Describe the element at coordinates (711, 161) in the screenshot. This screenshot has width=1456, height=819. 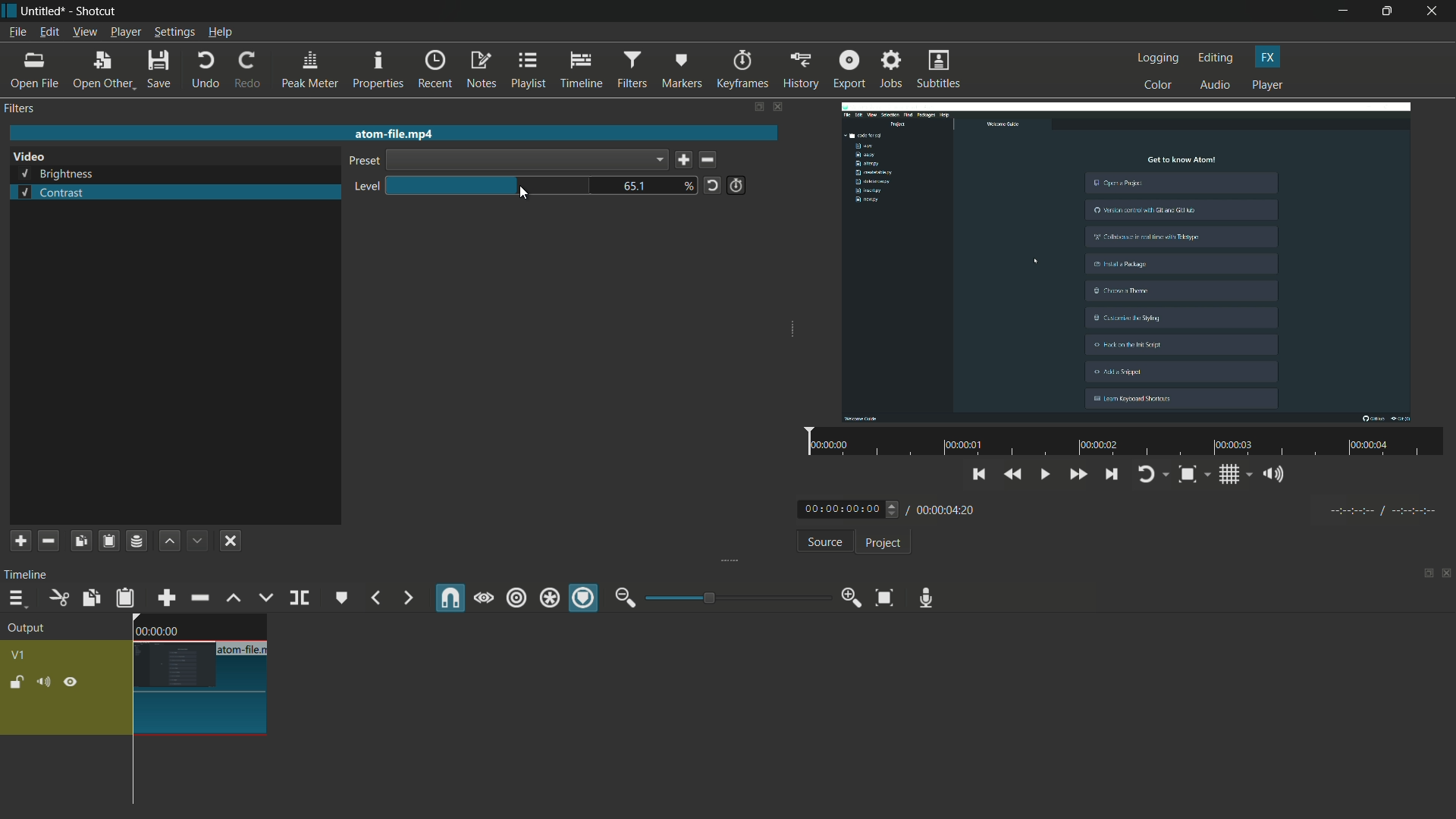
I see `delete` at that location.